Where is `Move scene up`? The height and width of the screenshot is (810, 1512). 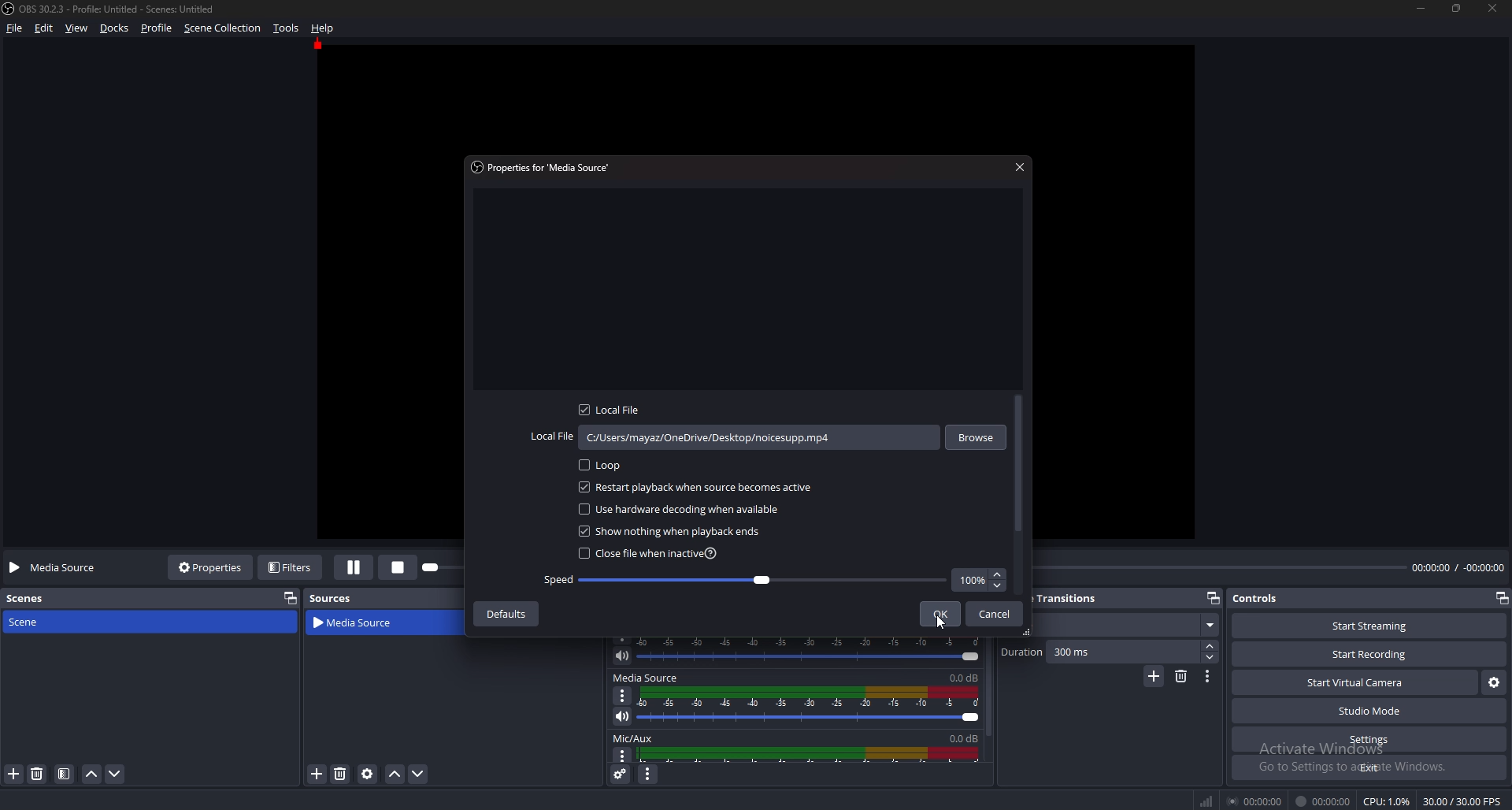 Move scene up is located at coordinates (91, 776).